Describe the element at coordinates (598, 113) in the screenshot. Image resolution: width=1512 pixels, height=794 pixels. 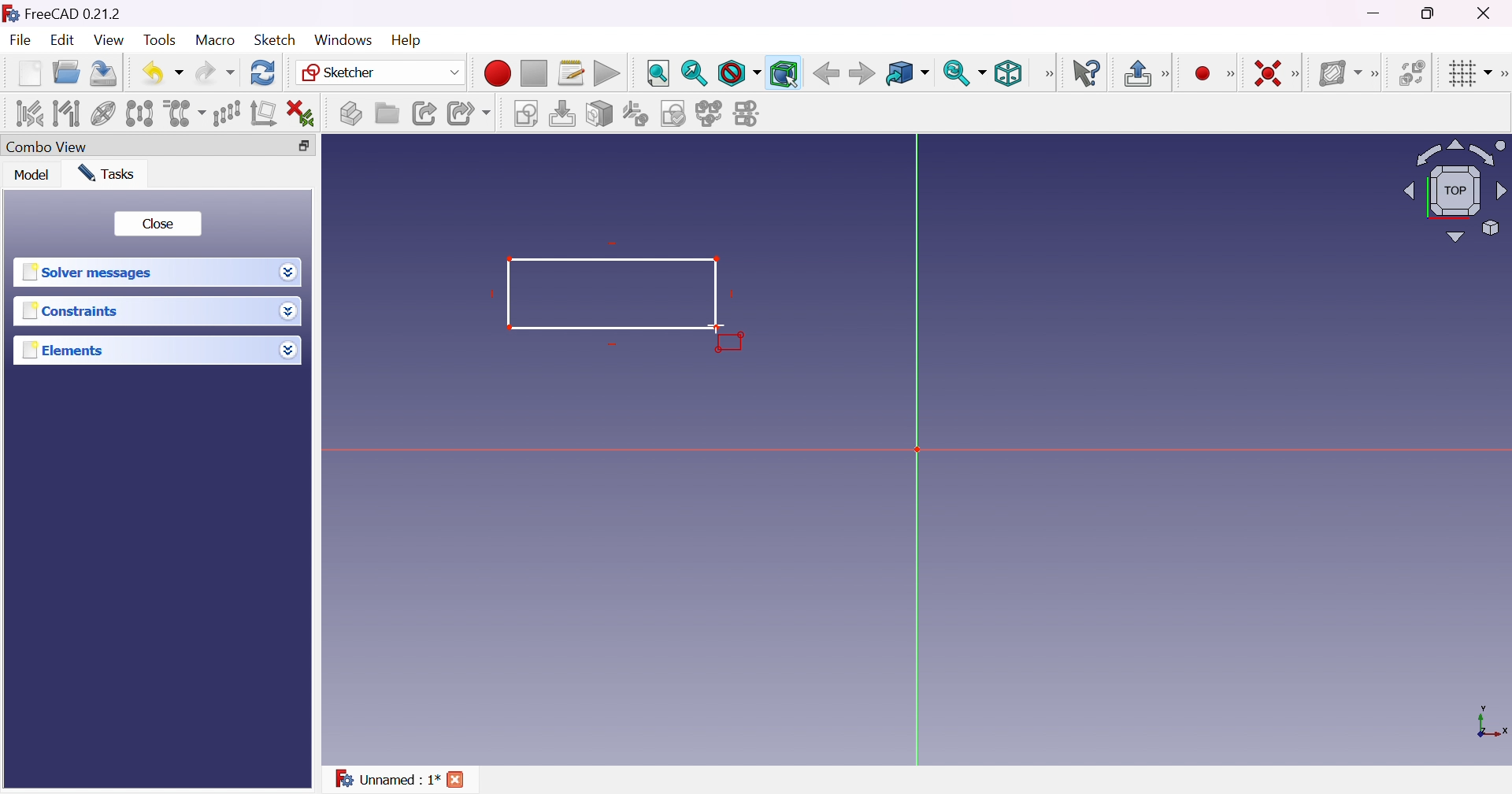
I see `Map sketch to face` at that location.